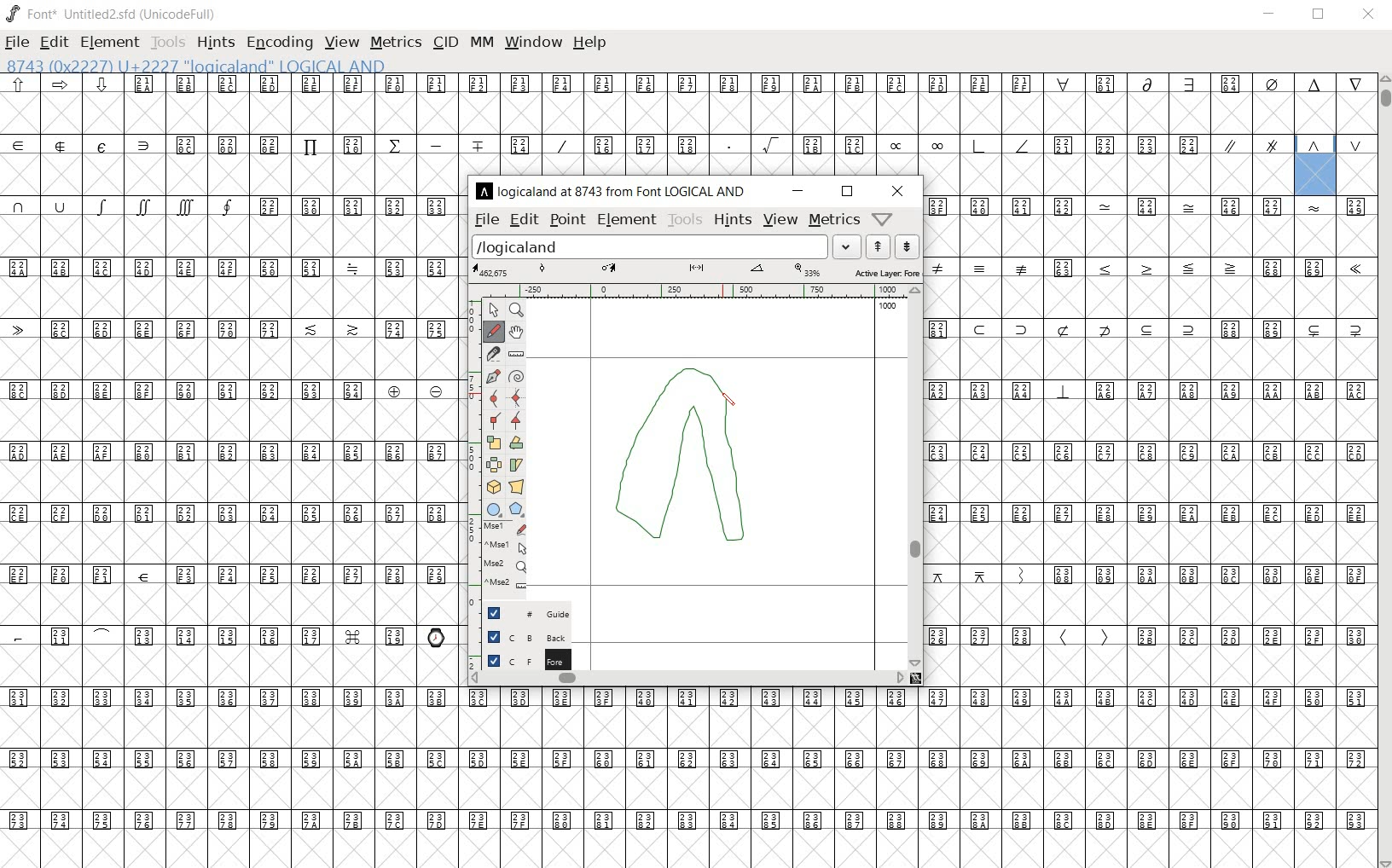 The width and height of the screenshot is (1392, 868). What do you see at coordinates (520, 660) in the screenshot?
I see `foreground` at bounding box center [520, 660].